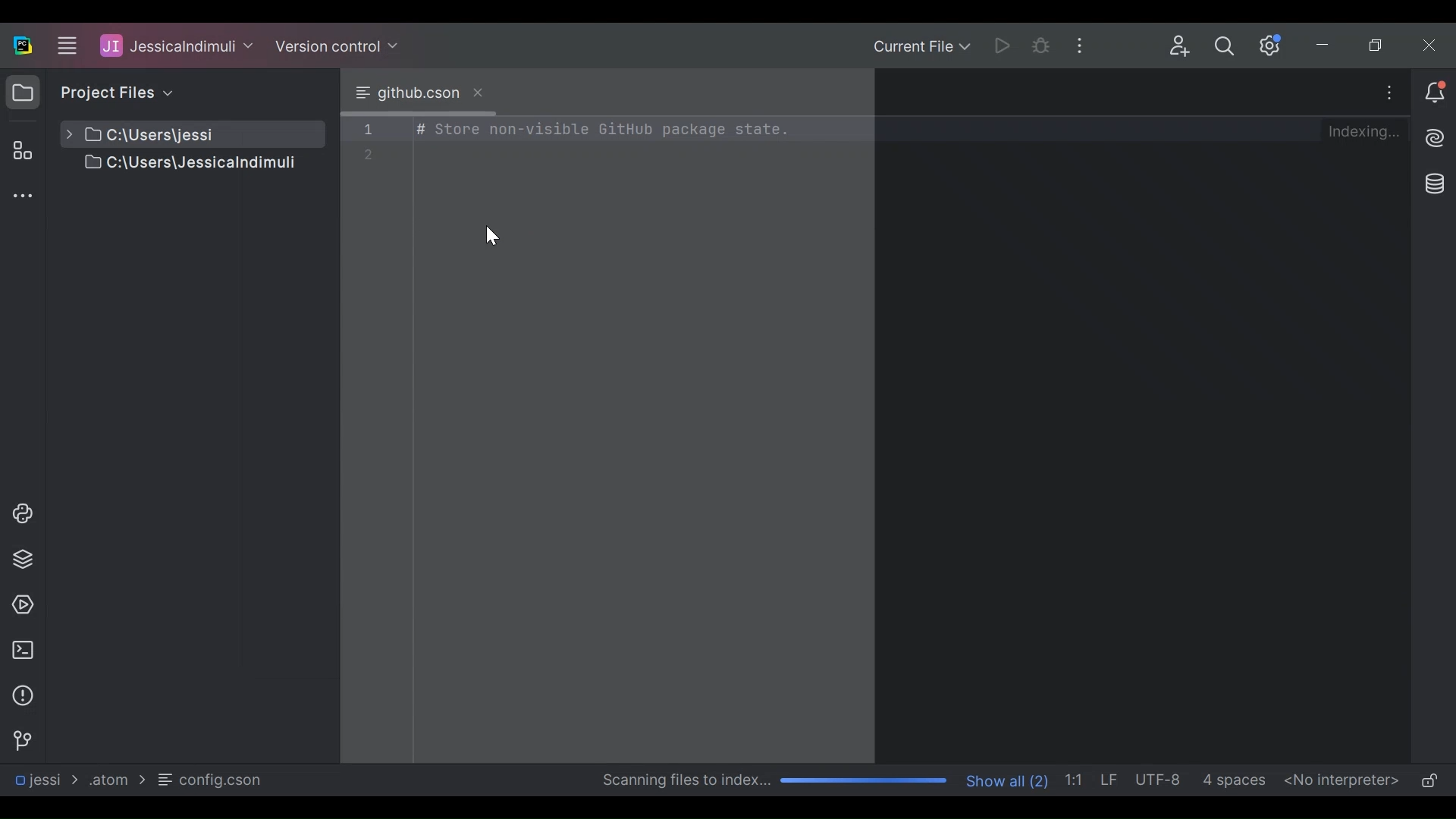 Image resolution: width=1456 pixels, height=819 pixels. Describe the element at coordinates (1161, 780) in the screenshot. I see `File Encoding` at that location.